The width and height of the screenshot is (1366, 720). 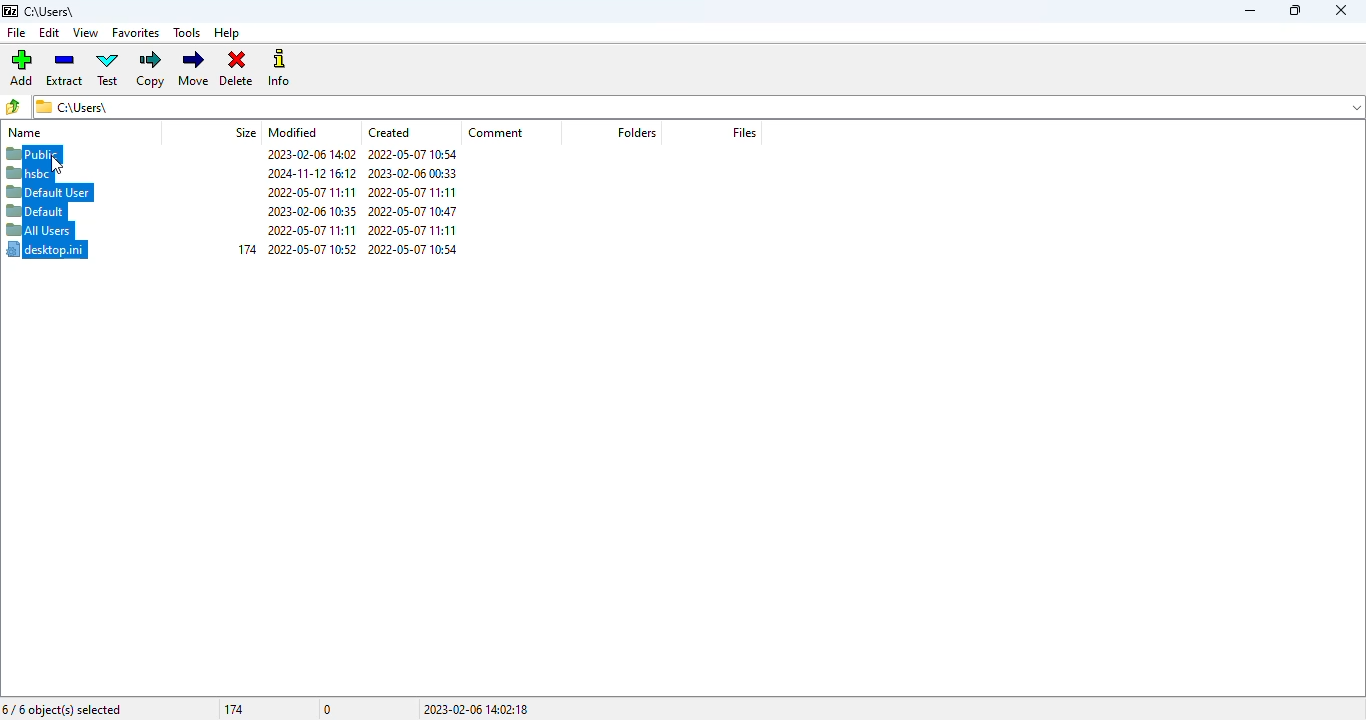 I want to click on c:\users\, so click(x=64, y=13).